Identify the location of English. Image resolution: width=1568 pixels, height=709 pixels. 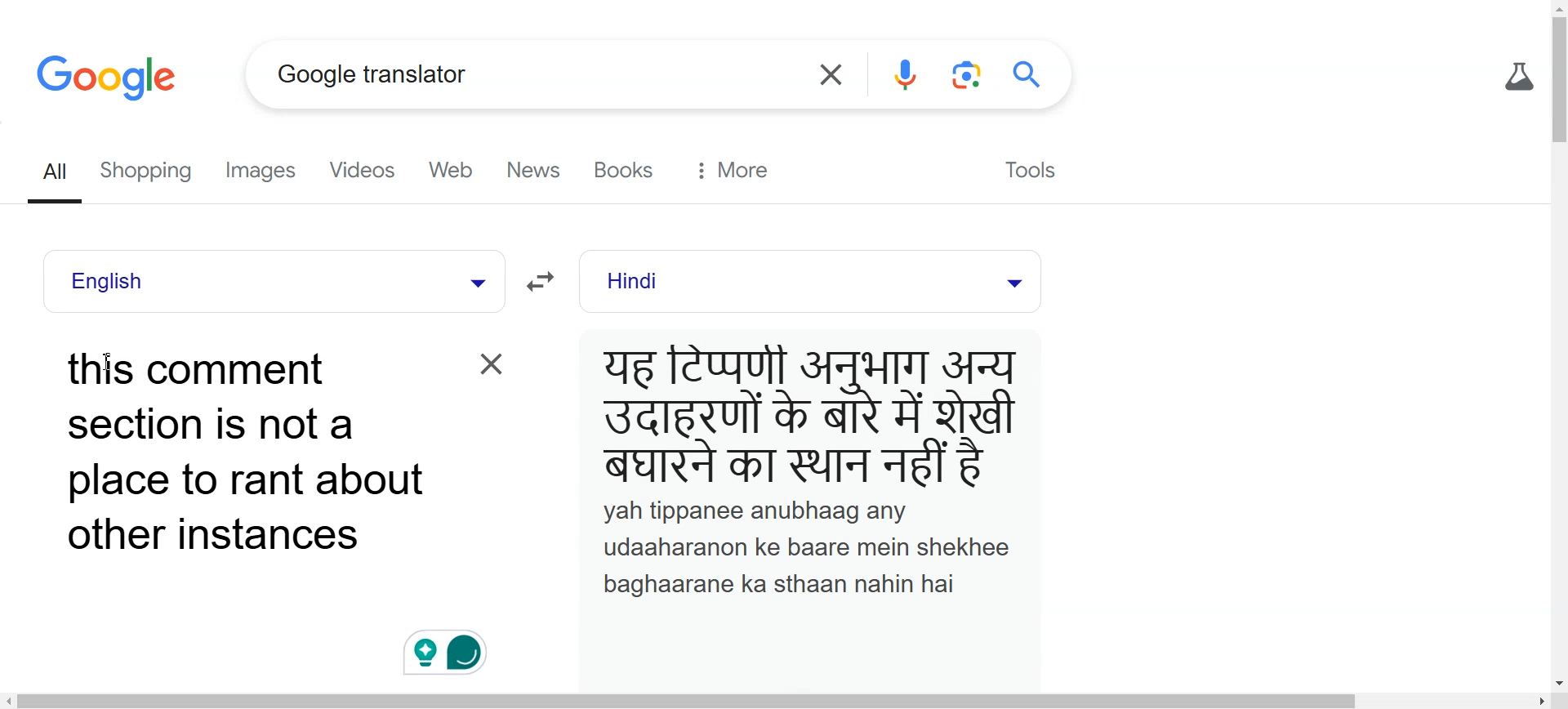
(234, 281).